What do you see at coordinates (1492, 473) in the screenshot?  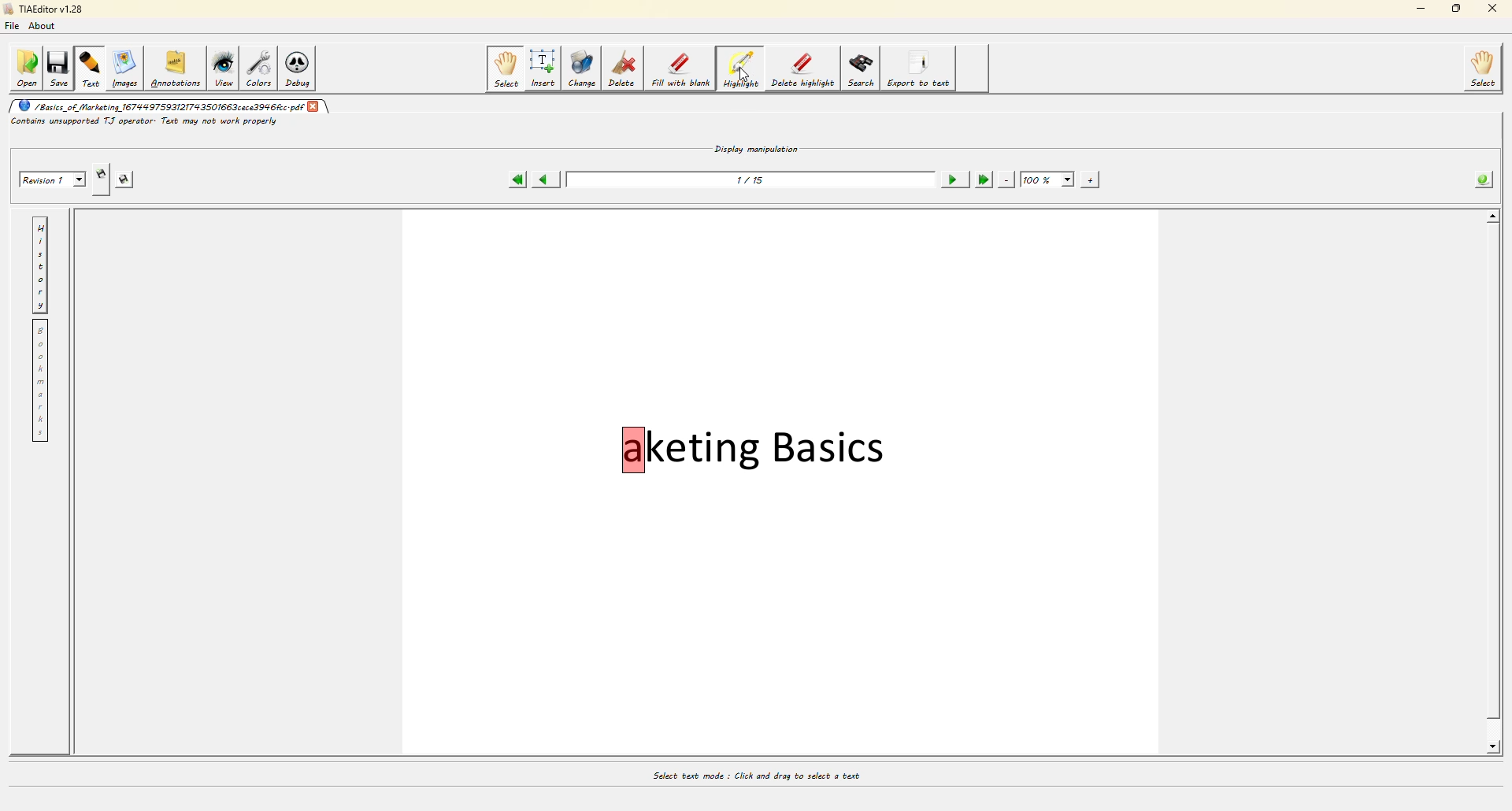 I see `scroll bar` at bounding box center [1492, 473].